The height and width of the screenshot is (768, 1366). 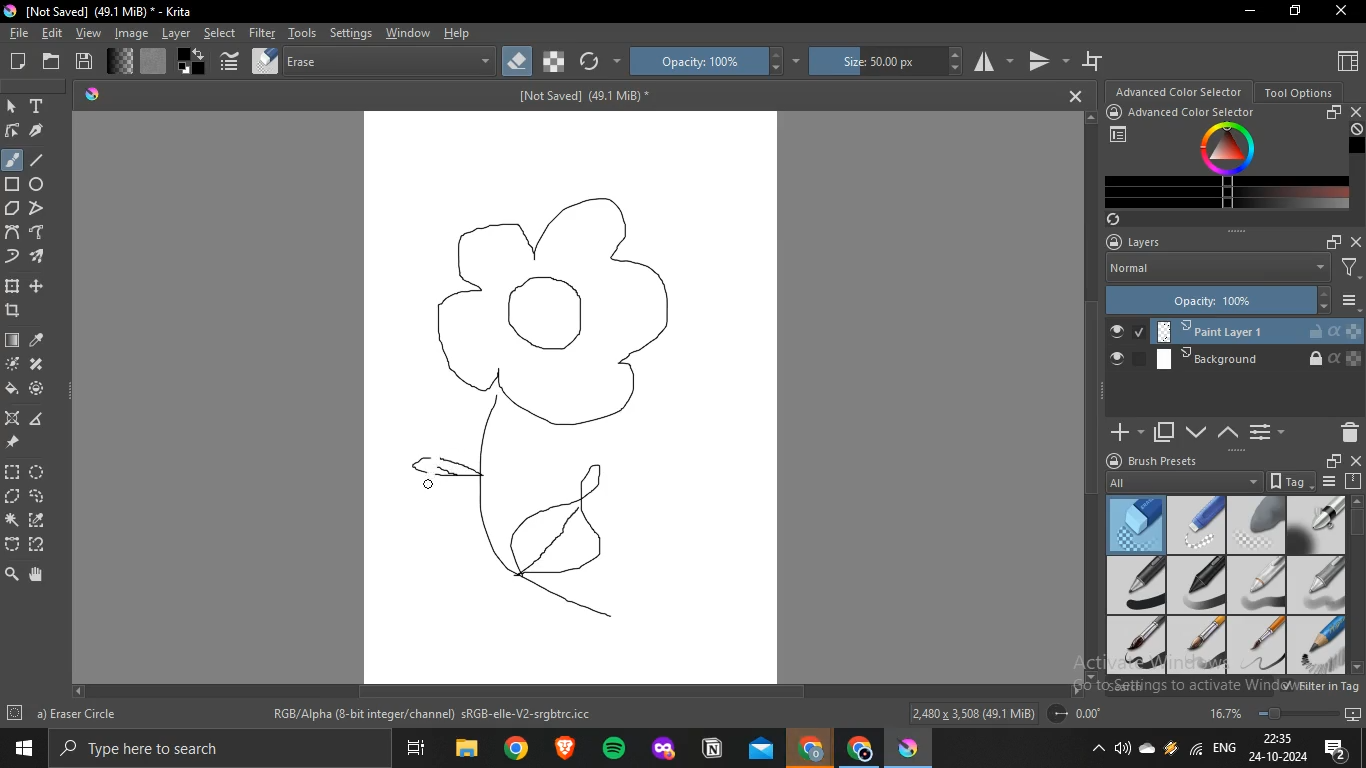 I want to click on assitant tool, so click(x=14, y=418).